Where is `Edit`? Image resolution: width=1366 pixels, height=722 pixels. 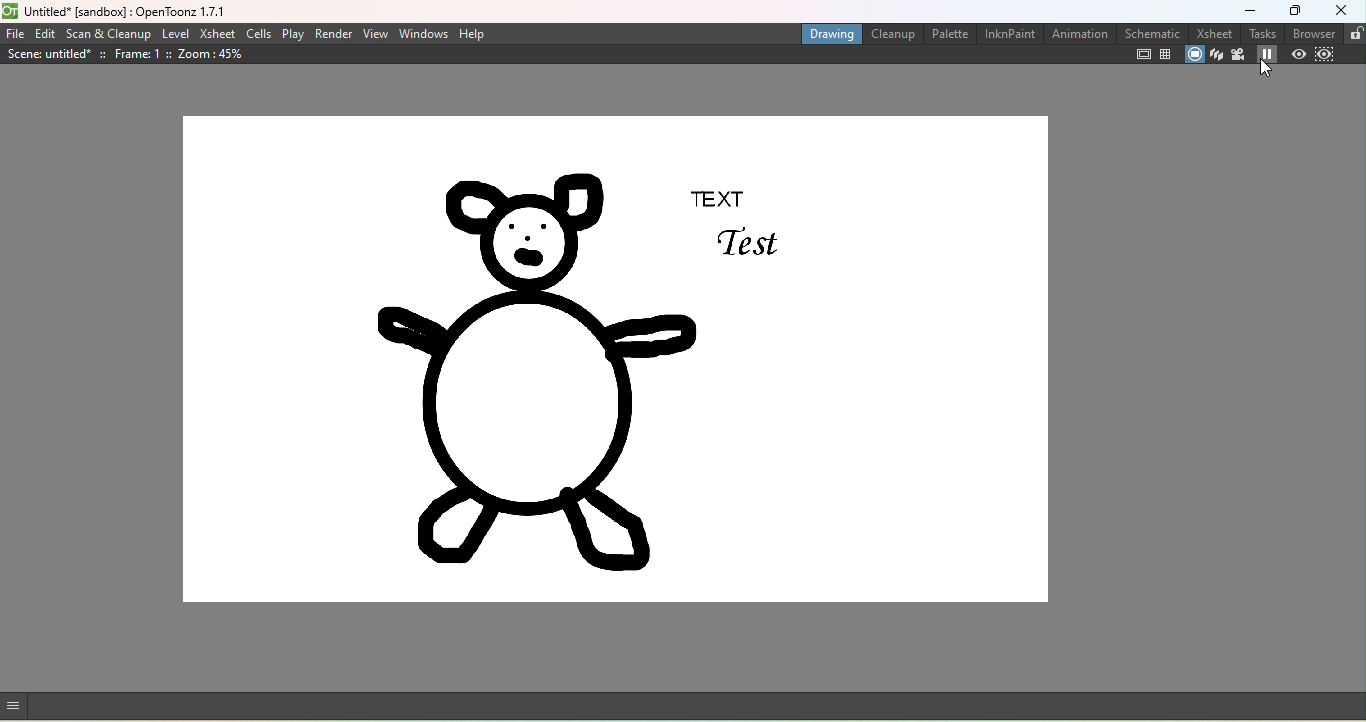 Edit is located at coordinates (46, 35).